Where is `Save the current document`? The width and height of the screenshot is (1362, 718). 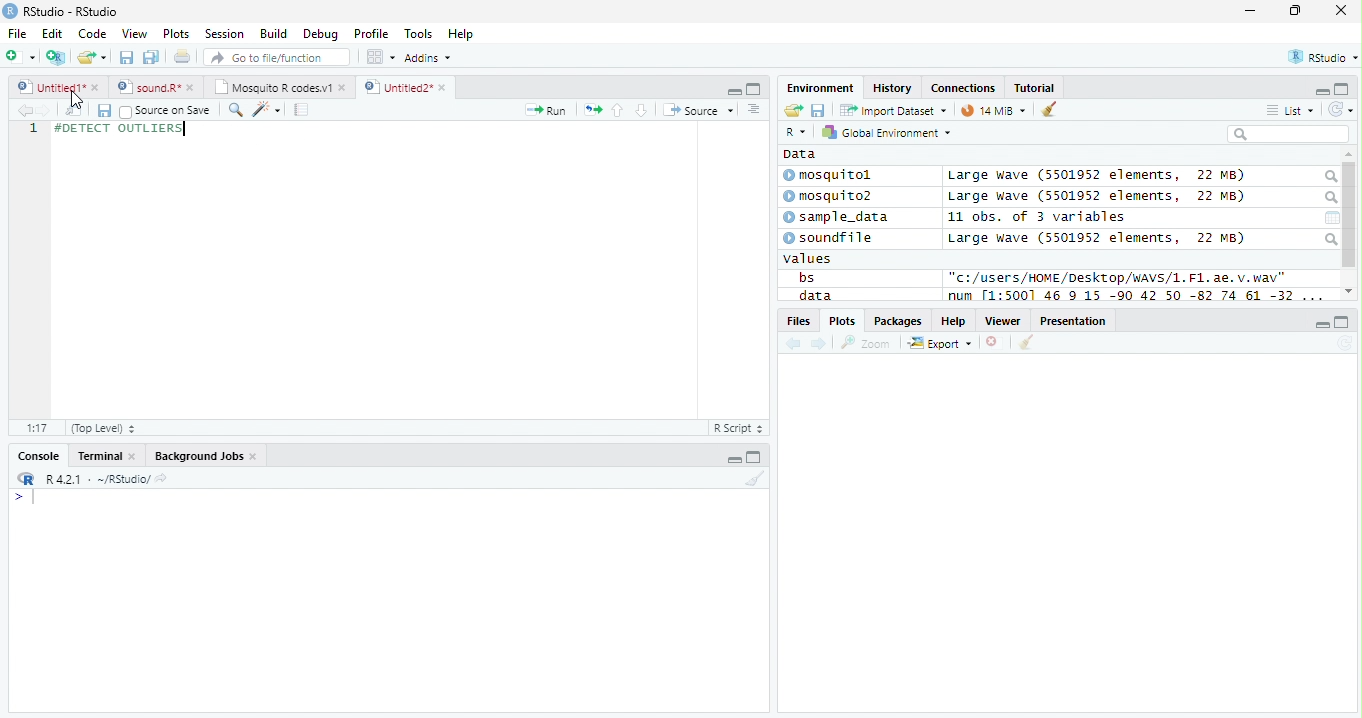 Save the current document is located at coordinates (126, 57).